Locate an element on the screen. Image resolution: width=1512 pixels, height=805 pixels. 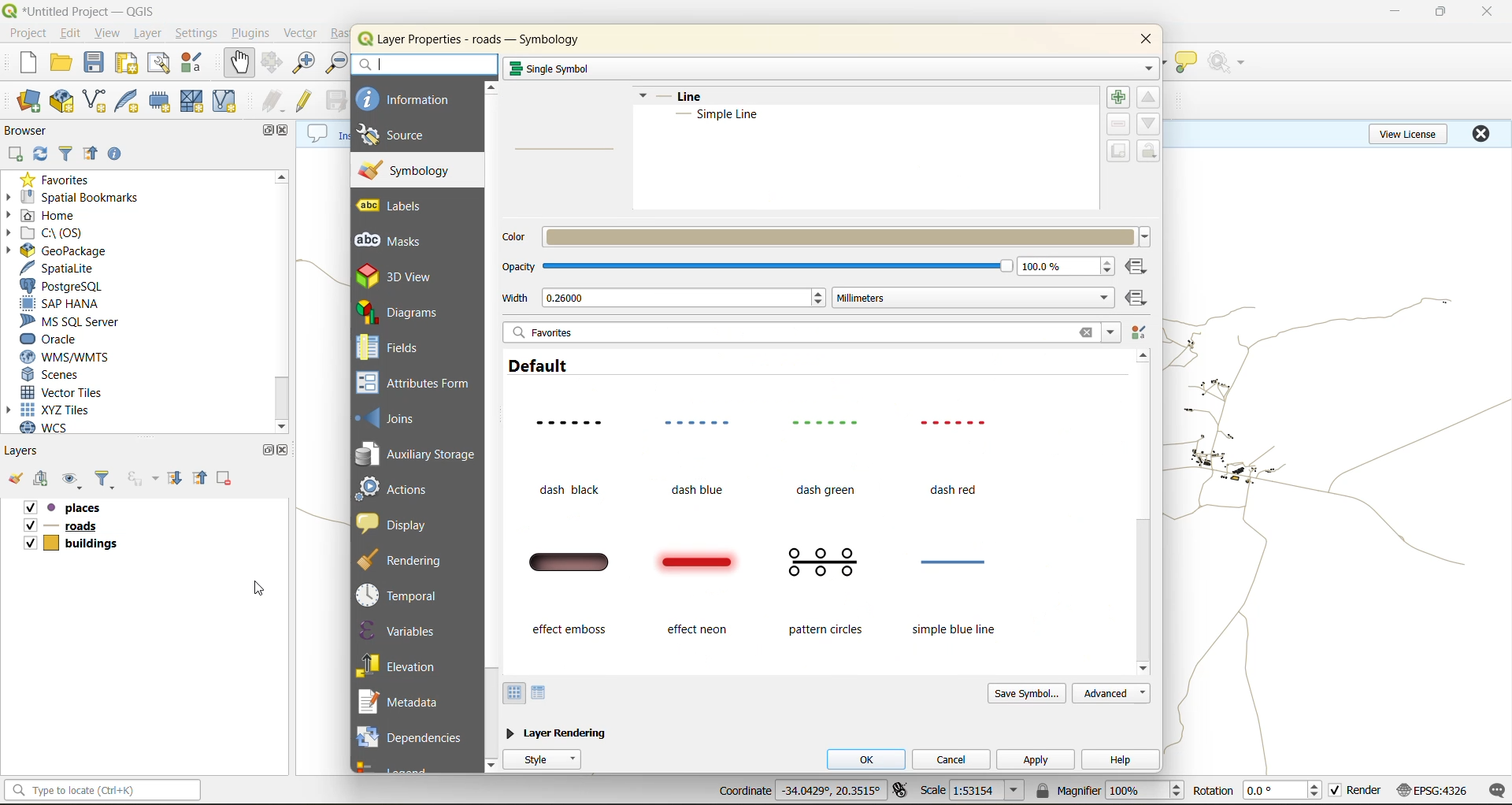
wms is located at coordinates (76, 357).